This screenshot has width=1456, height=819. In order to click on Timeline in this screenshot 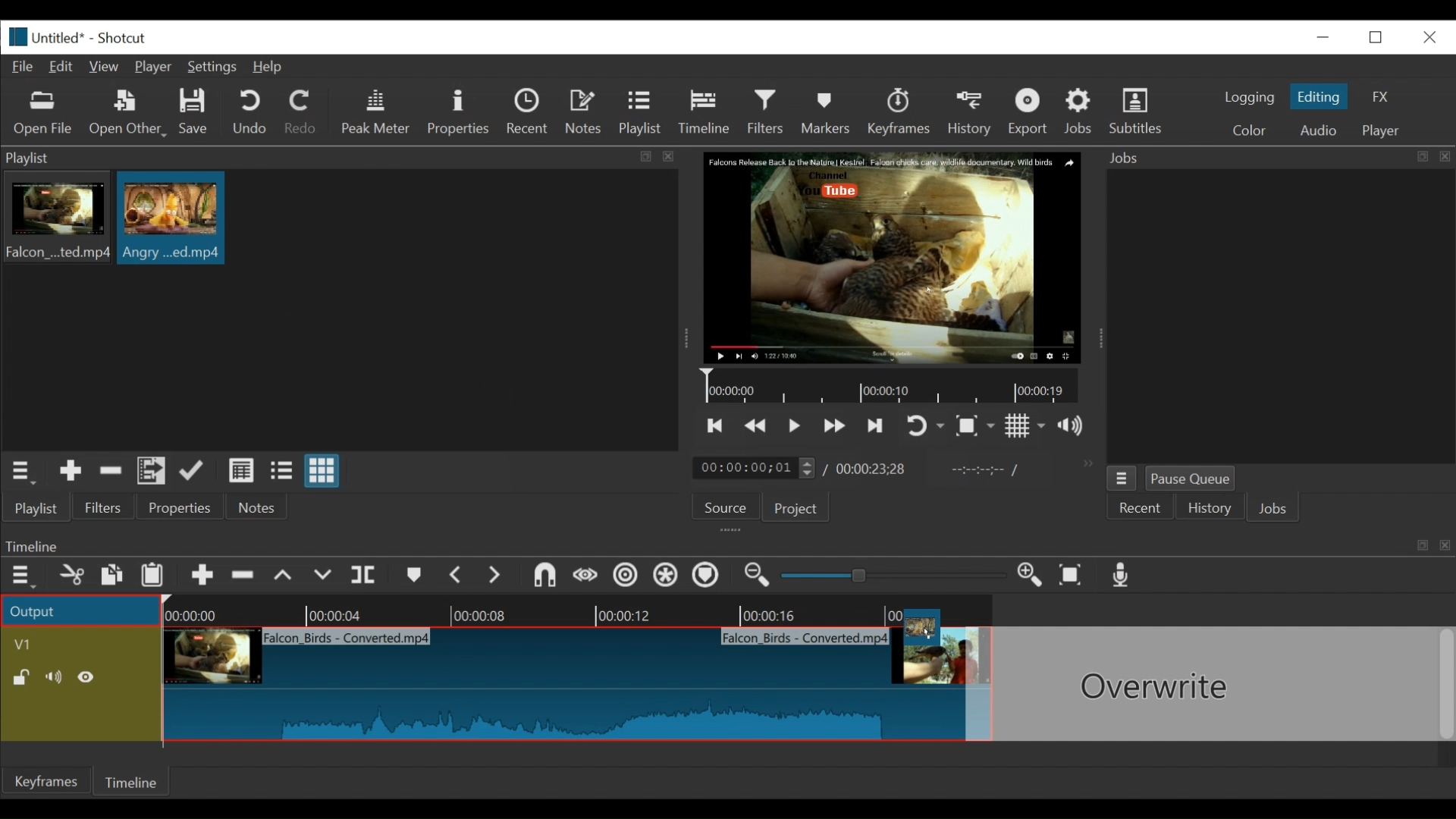, I will do `click(708, 109)`.